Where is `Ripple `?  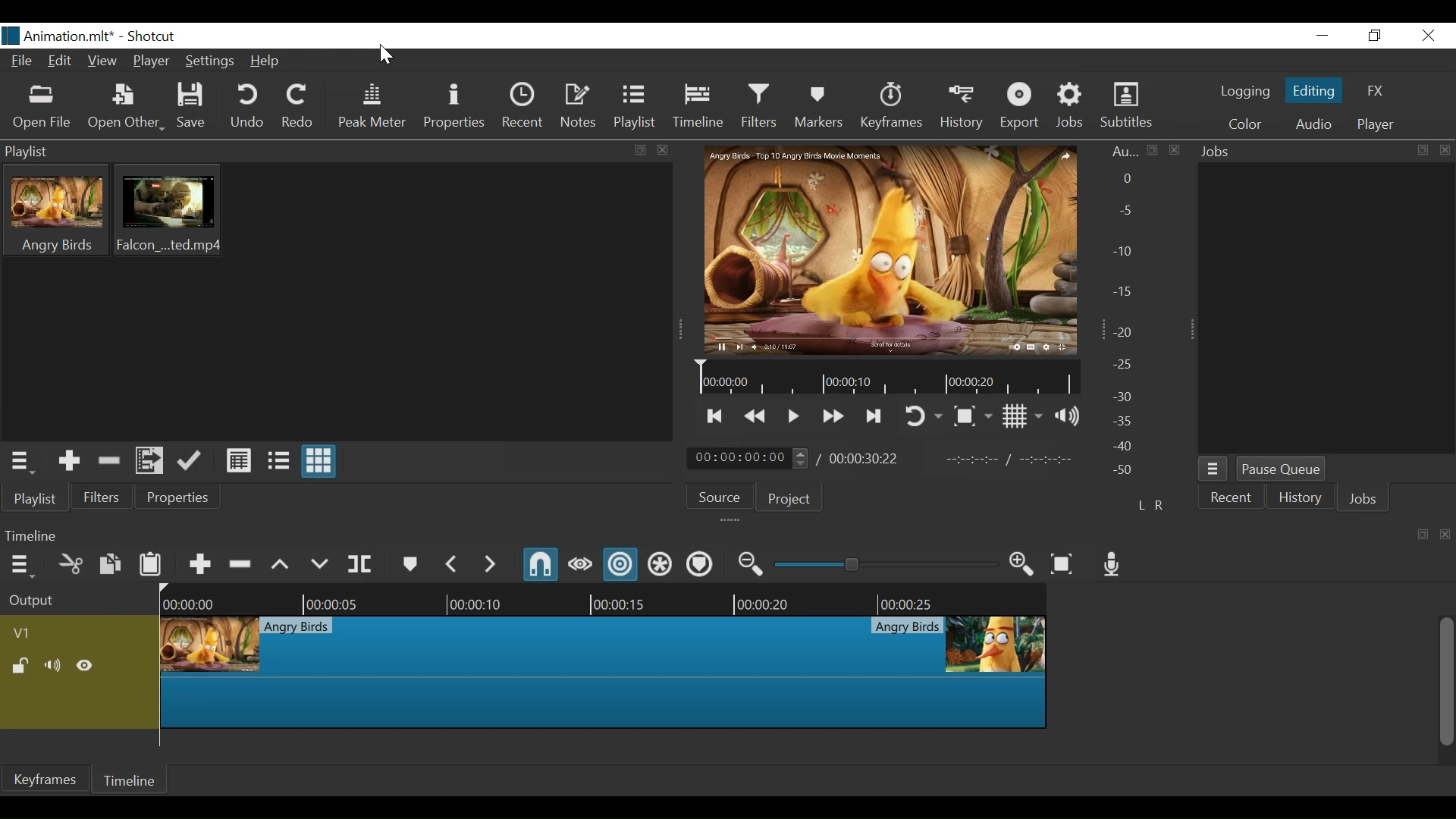 Ripple  is located at coordinates (621, 565).